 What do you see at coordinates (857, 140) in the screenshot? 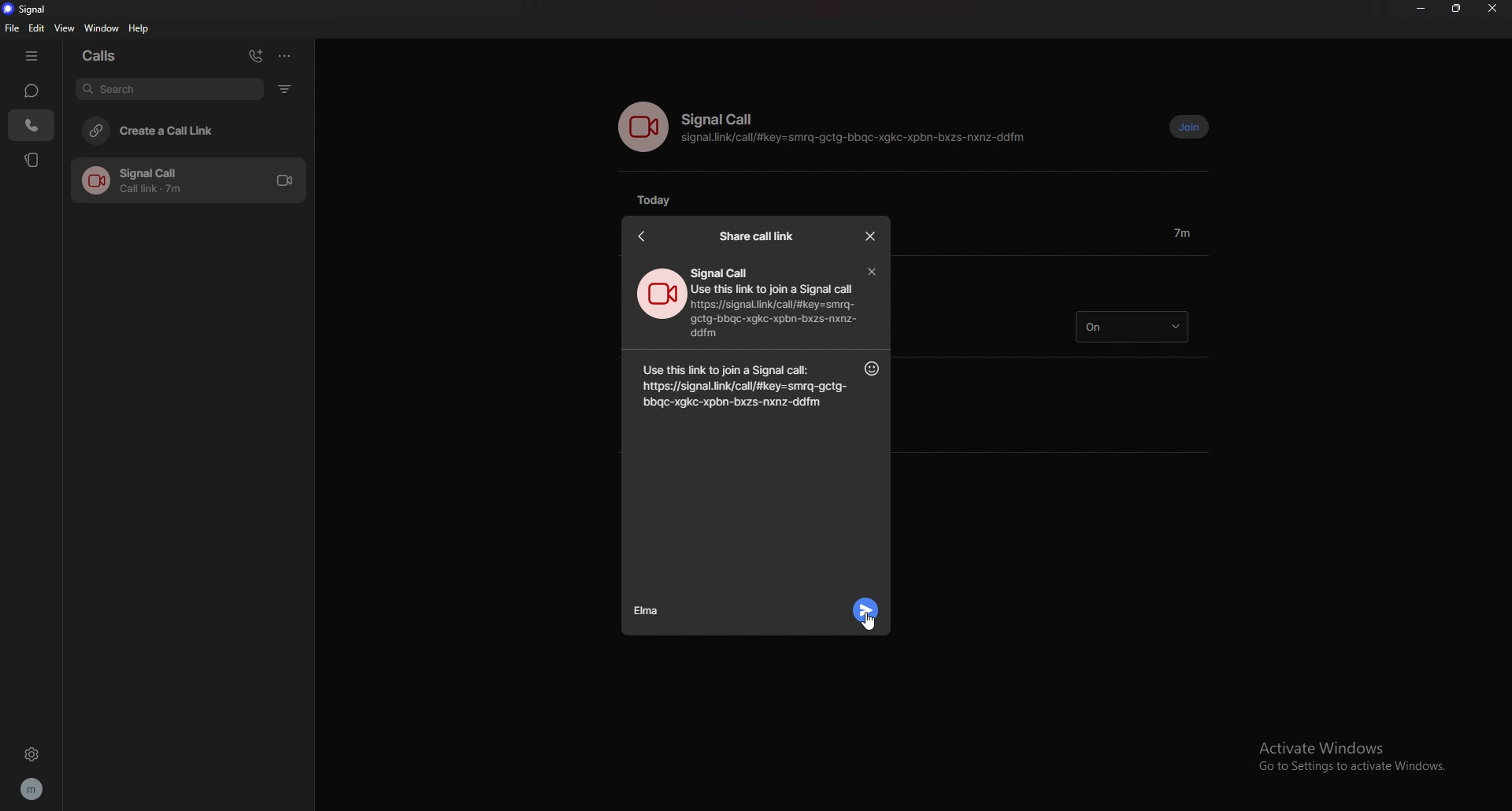
I see `signal.link/call/#key=smrq-gctg-bbqc-xgkc-xpbn-bxzs-nxnz-ddfm` at bounding box center [857, 140].